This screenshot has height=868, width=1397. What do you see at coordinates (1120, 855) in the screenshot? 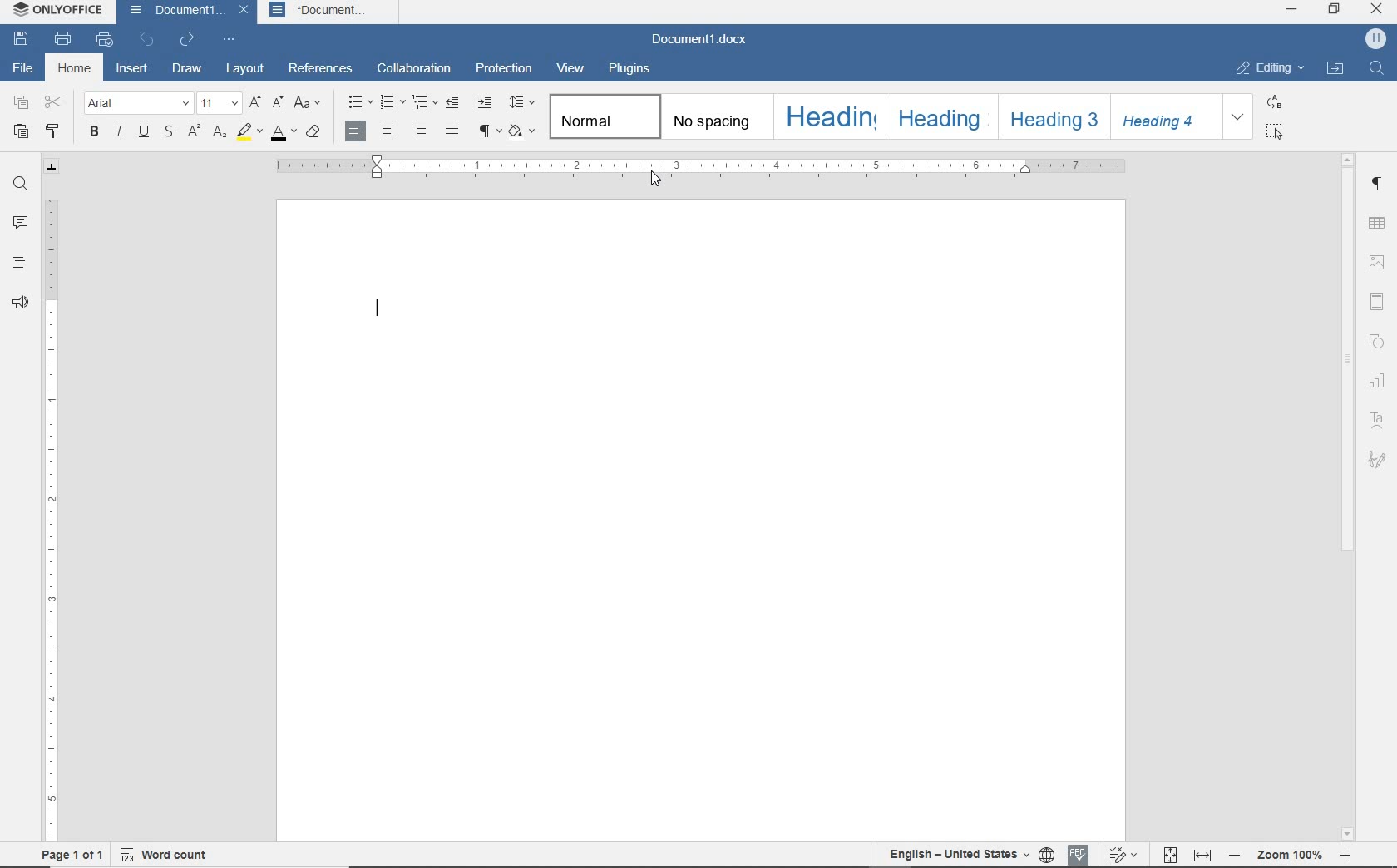
I see `TRACK CHANGES` at bounding box center [1120, 855].